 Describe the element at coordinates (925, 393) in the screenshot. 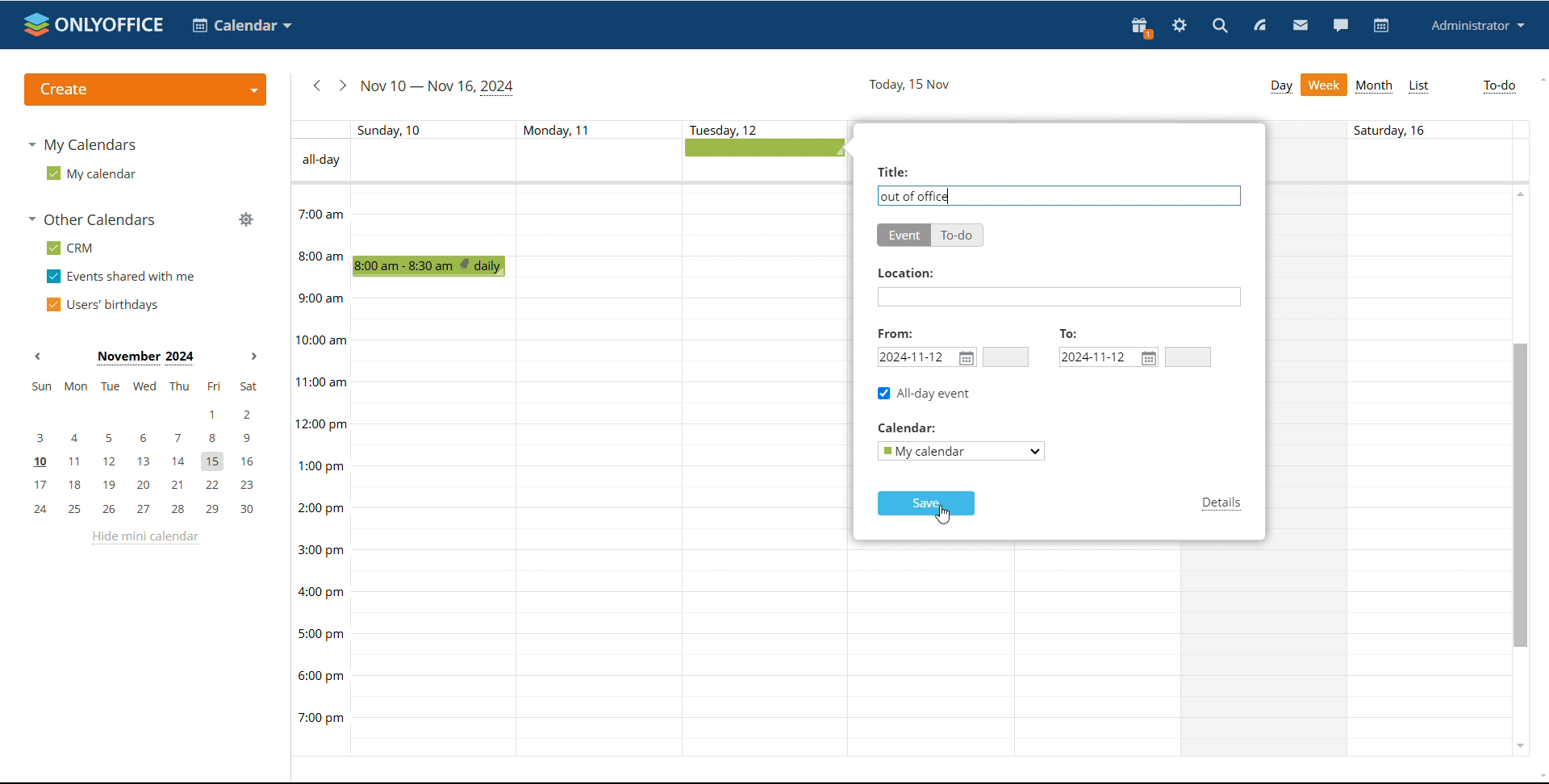

I see `all-day event ticked` at that location.